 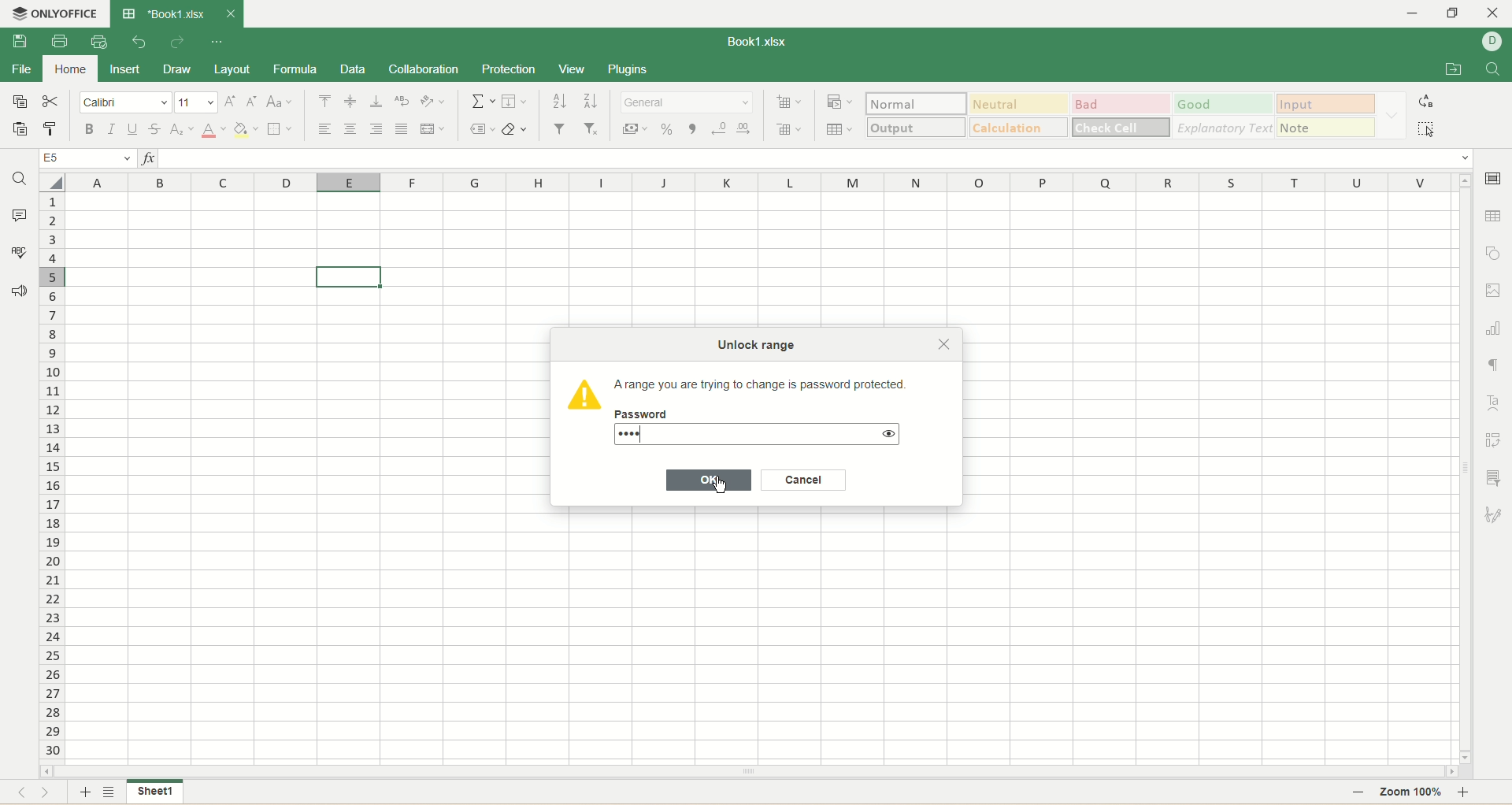 What do you see at coordinates (86, 160) in the screenshot?
I see `E5` at bounding box center [86, 160].